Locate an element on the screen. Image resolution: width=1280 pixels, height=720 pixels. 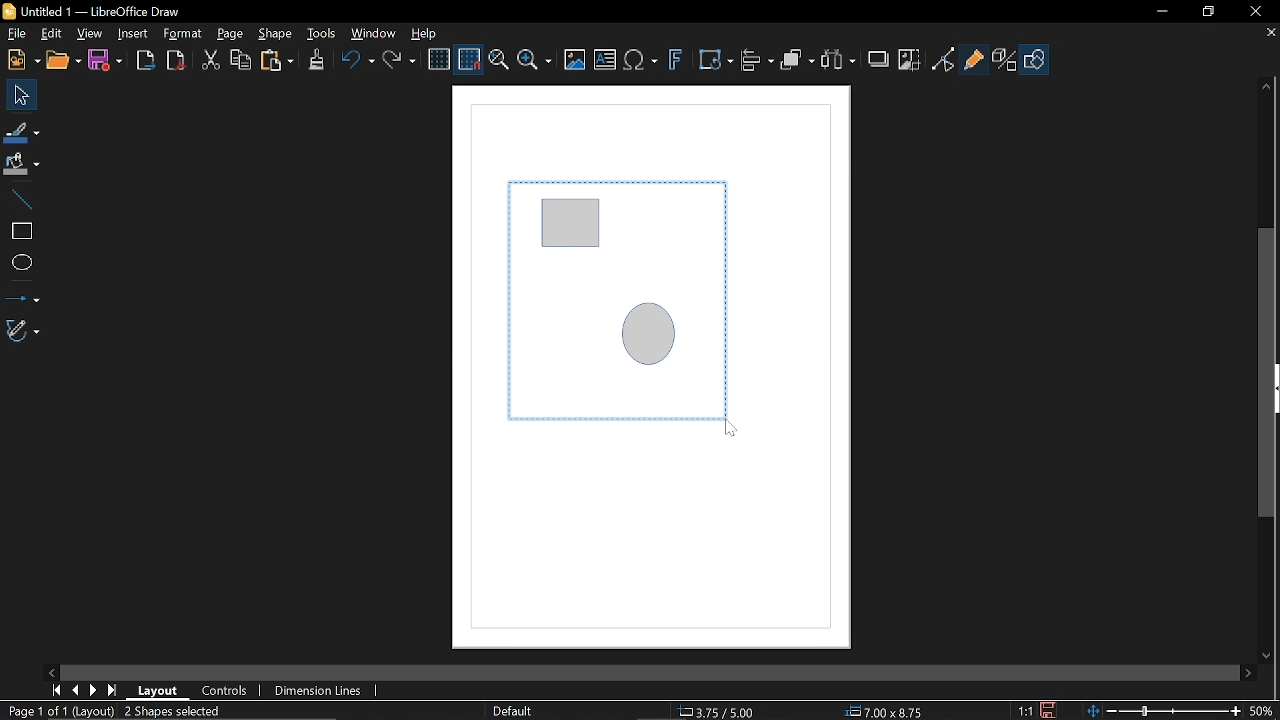
Close is located at coordinates (1258, 11).